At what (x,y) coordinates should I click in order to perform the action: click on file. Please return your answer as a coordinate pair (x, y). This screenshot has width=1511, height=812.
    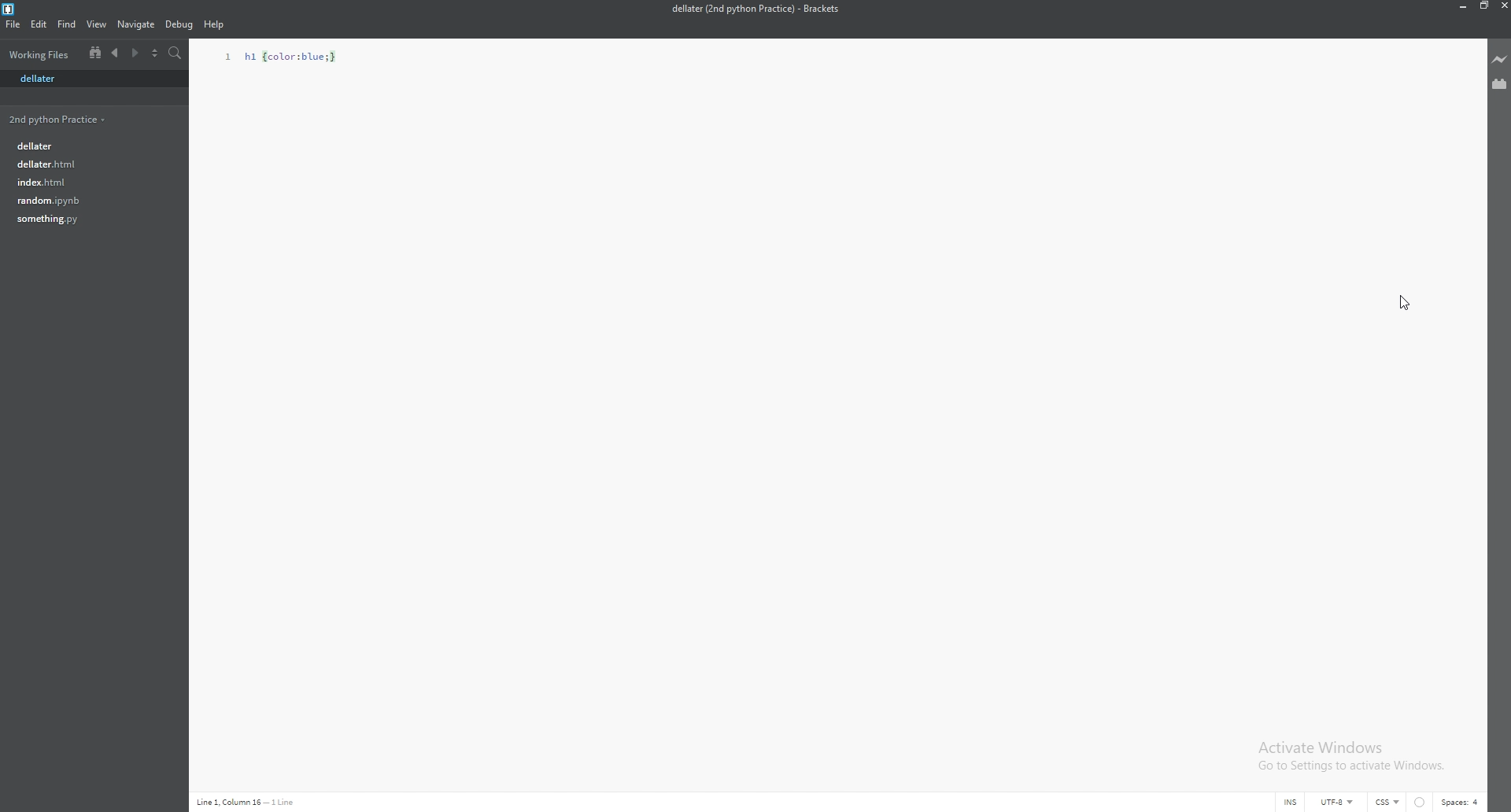
    Looking at the image, I should click on (89, 144).